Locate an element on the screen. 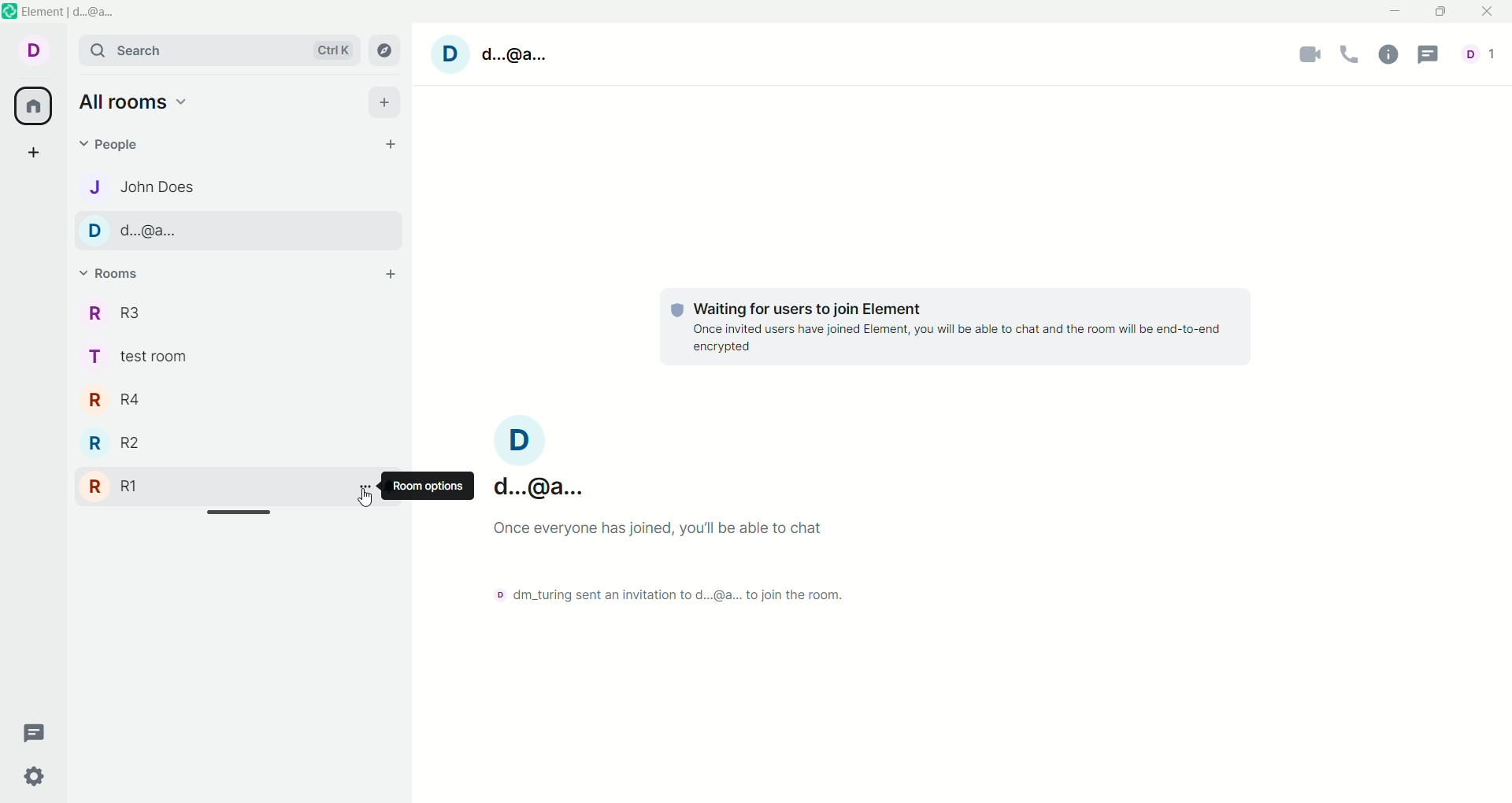  tracking logo is located at coordinates (673, 308).